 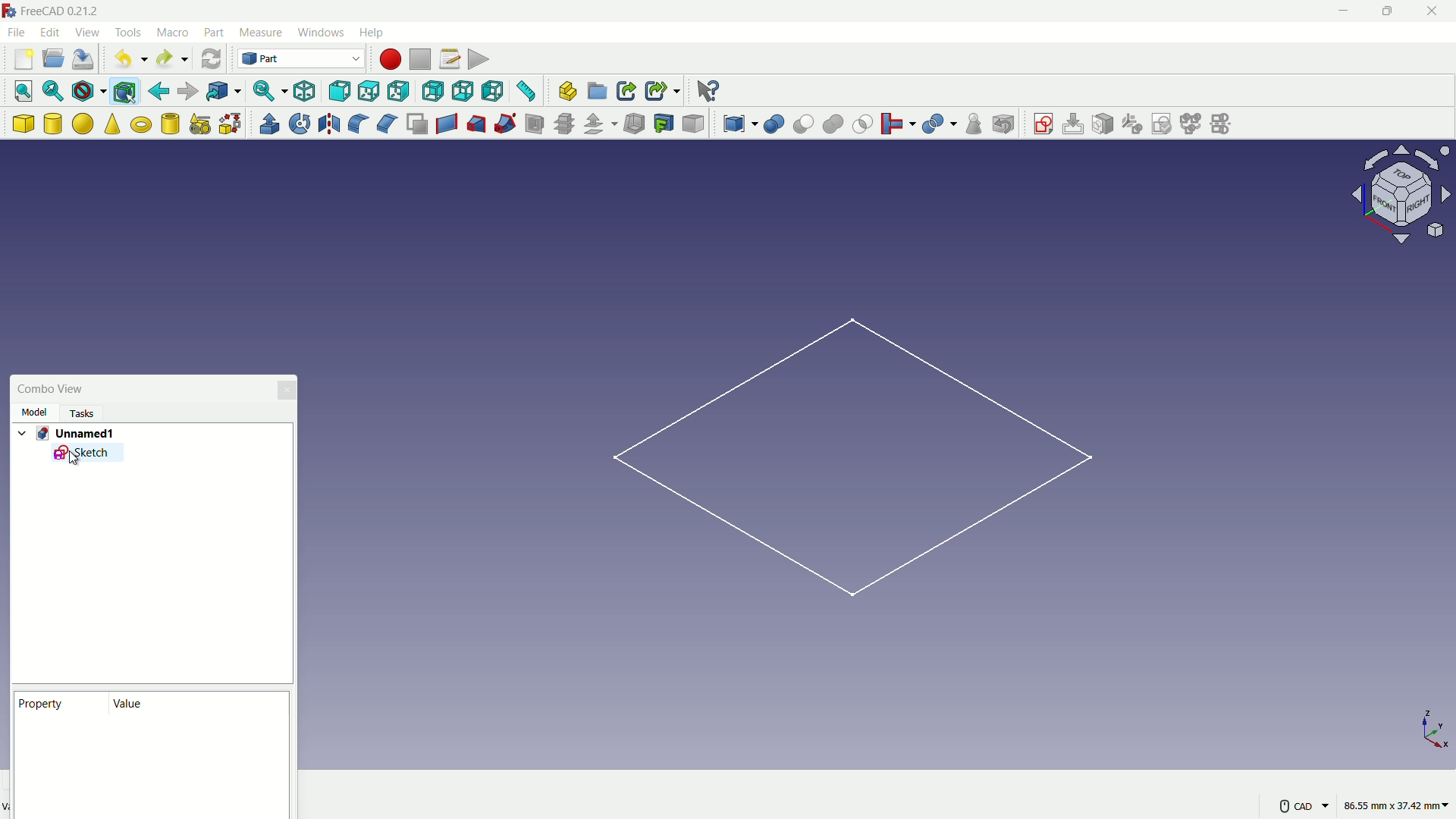 I want to click on sweep, so click(x=505, y=125).